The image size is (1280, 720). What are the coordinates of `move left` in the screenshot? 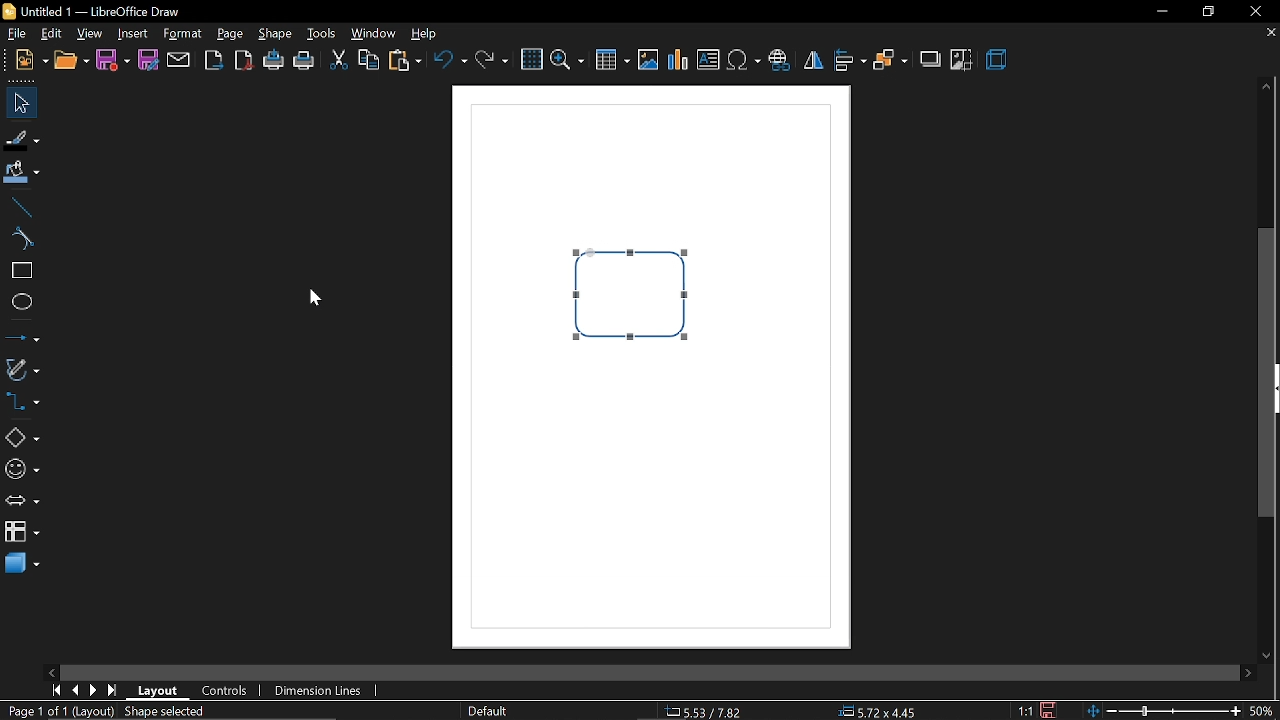 It's located at (54, 670).